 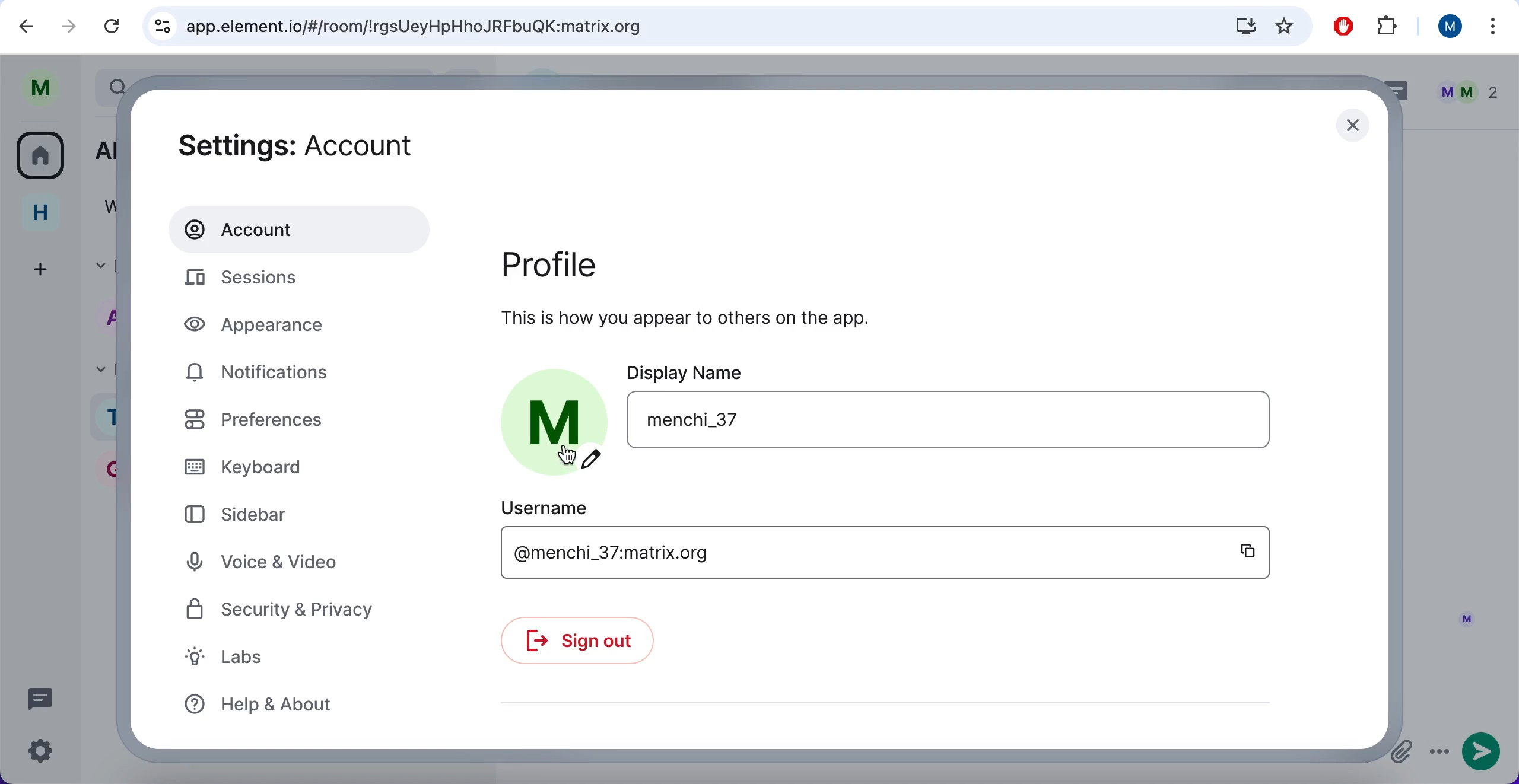 What do you see at coordinates (244, 516) in the screenshot?
I see `sidebar` at bounding box center [244, 516].